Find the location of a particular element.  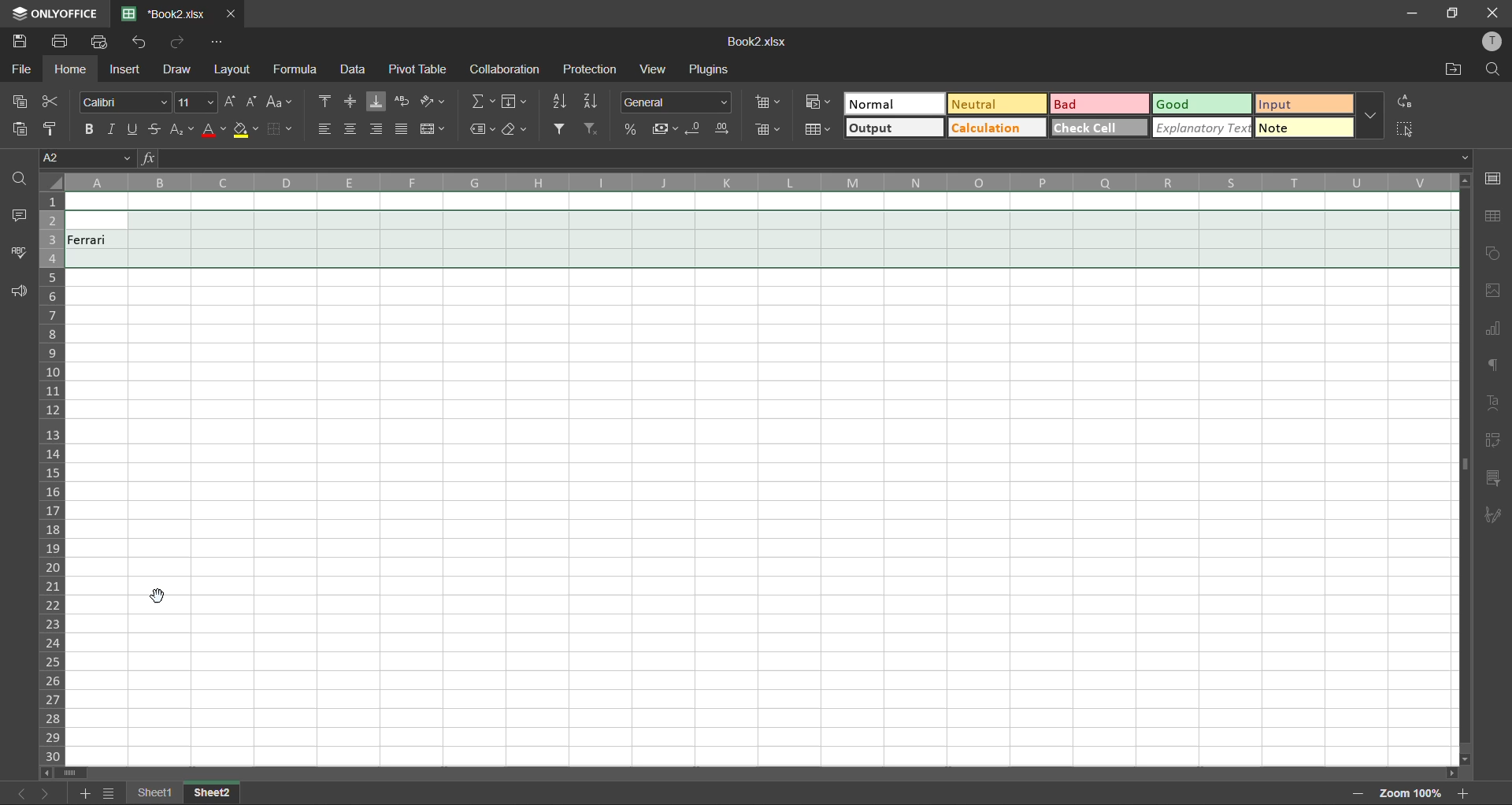

conditional formatting is located at coordinates (819, 101).